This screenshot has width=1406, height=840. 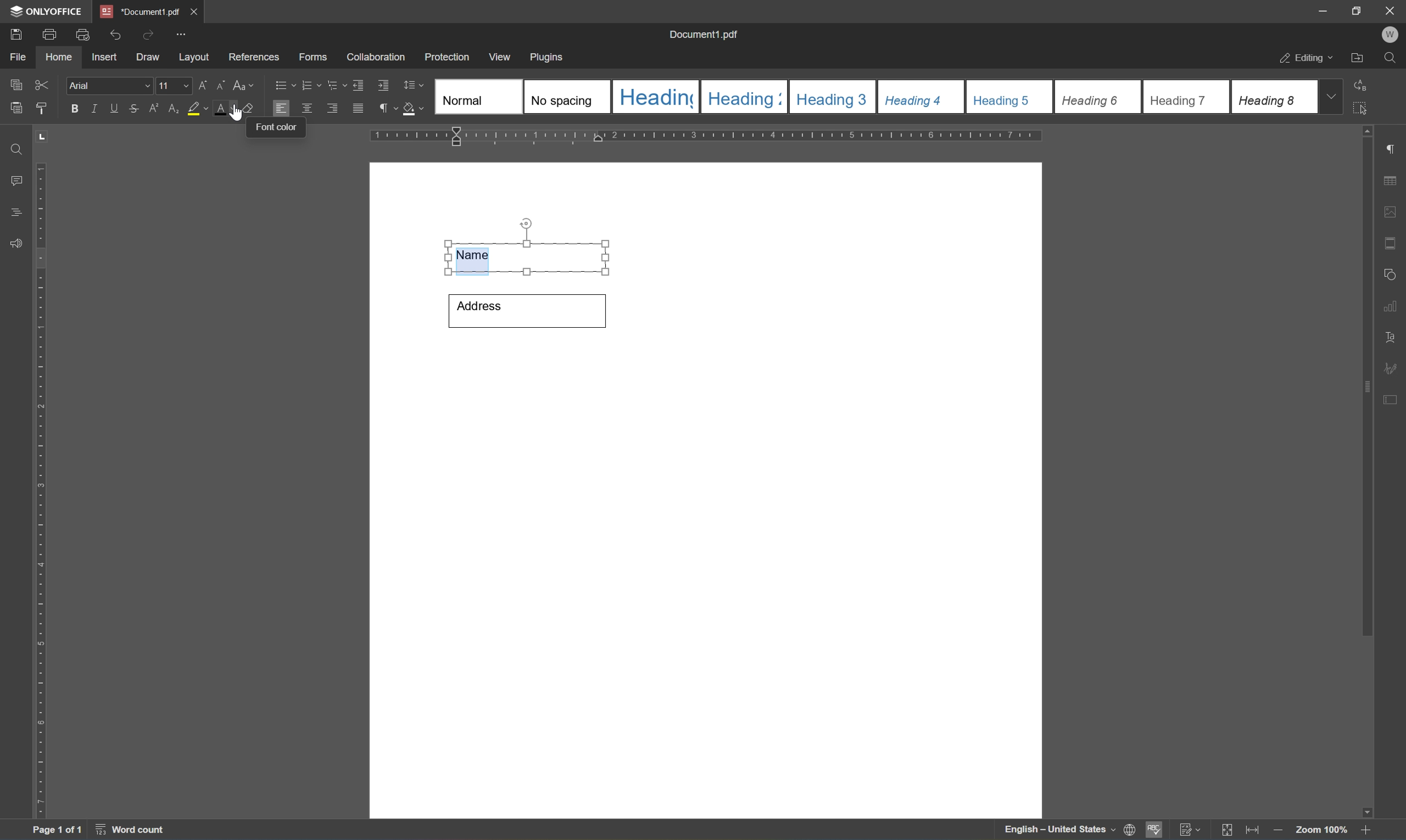 I want to click on shape settings, so click(x=1393, y=272).